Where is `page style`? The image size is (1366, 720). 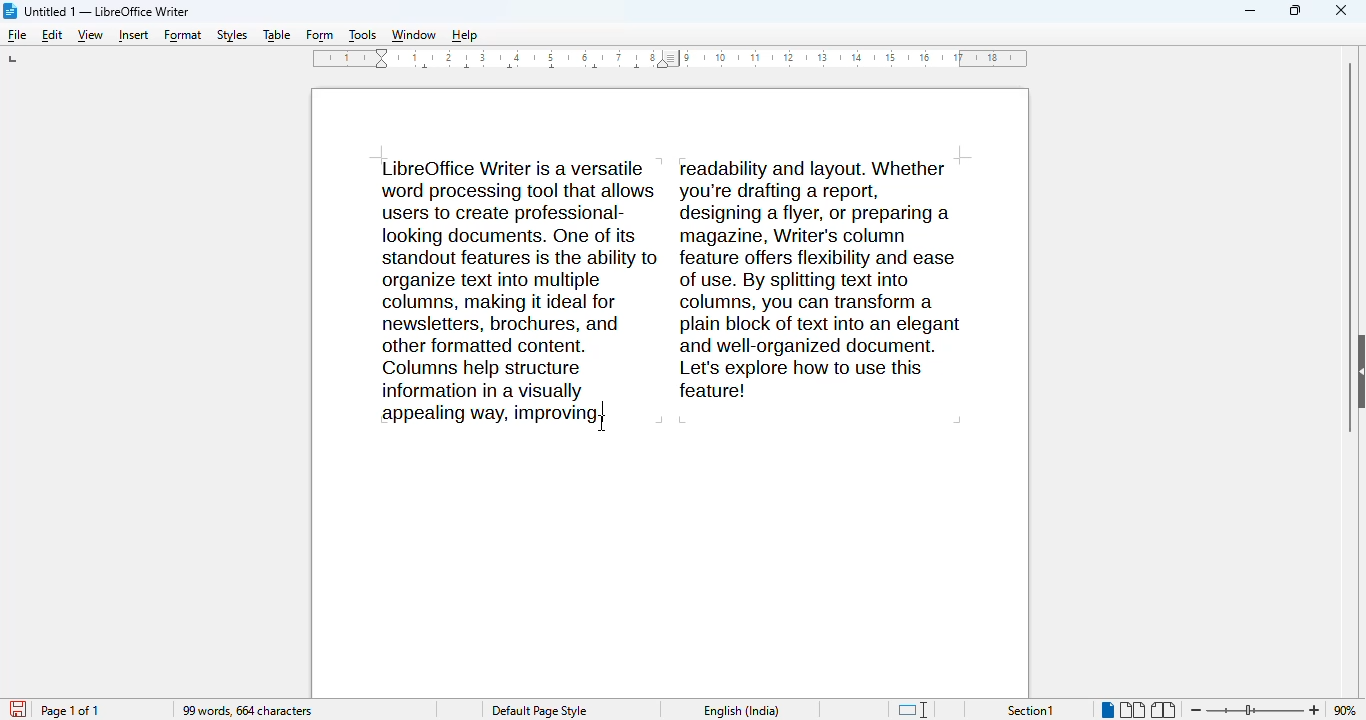 page style is located at coordinates (540, 711).